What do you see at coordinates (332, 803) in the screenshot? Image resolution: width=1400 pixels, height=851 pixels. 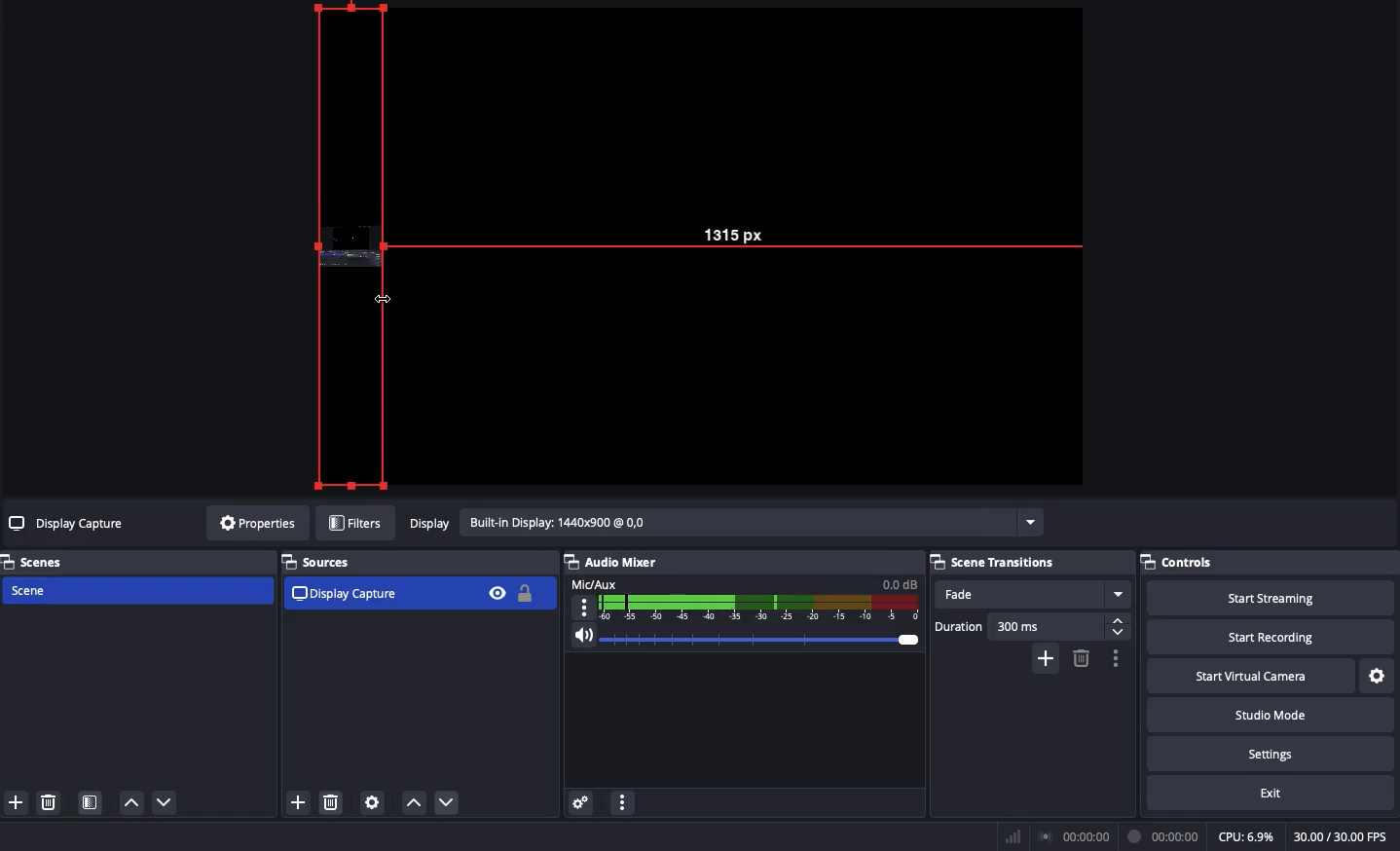 I see `Delete` at bounding box center [332, 803].